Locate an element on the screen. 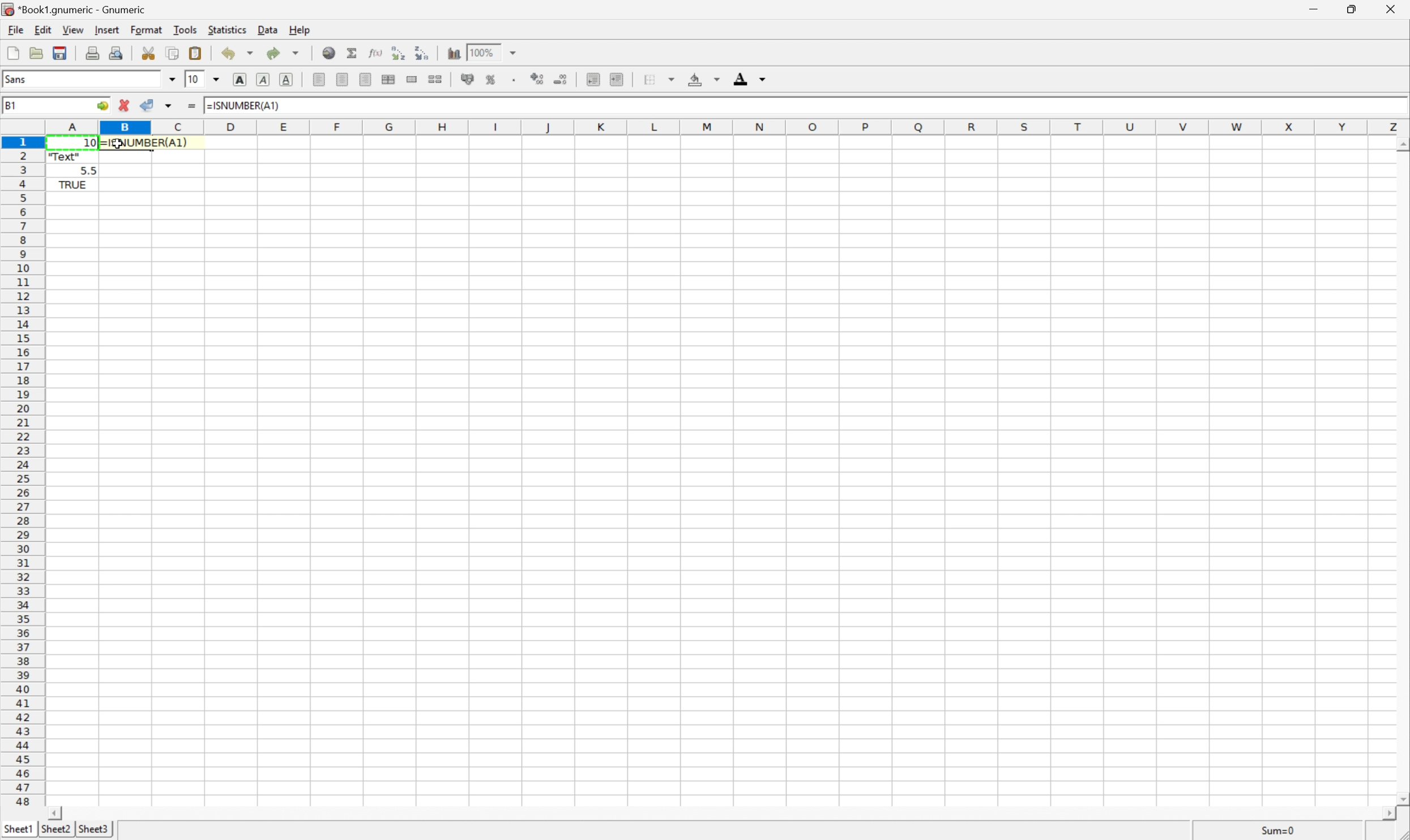 Image resolution: width=1410 pixels, height=840 pixels. =ISNUMBER(A1) is located at coordinates (147, 142).